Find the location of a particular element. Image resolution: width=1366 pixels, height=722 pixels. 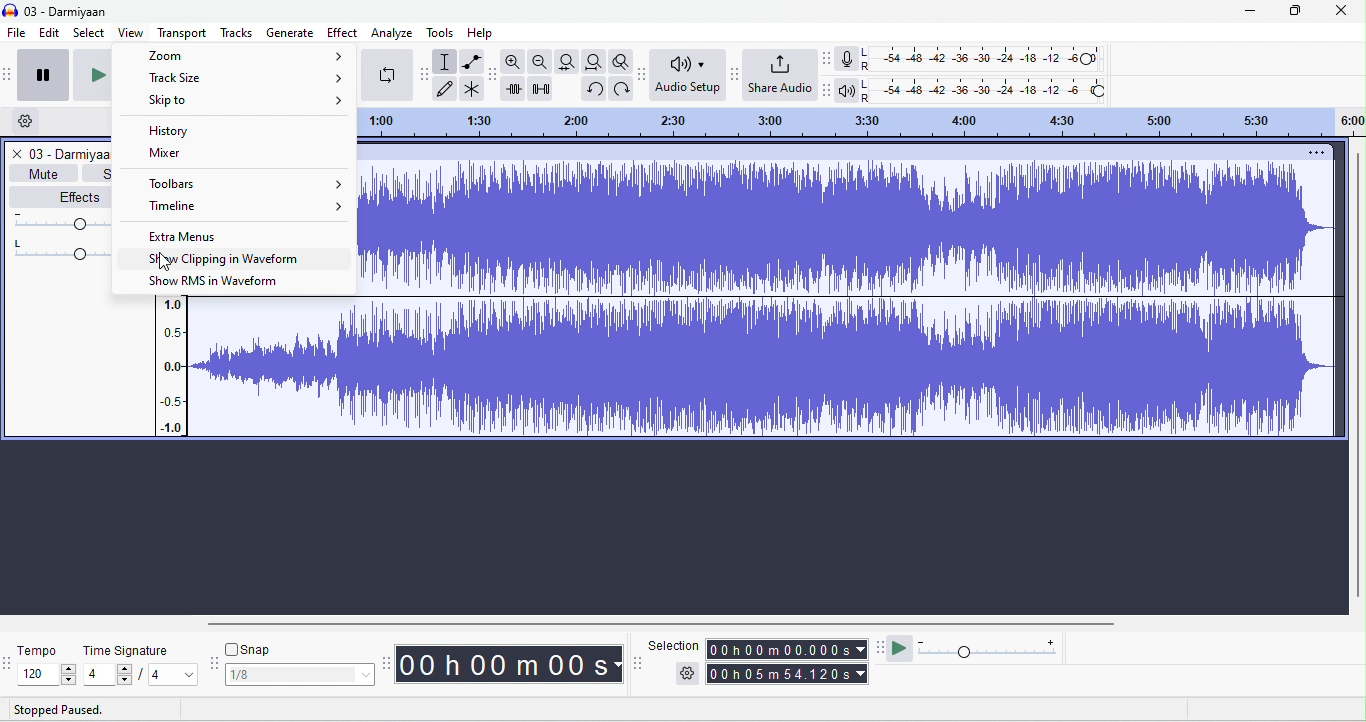

pan is located at coordinates (66, 247).